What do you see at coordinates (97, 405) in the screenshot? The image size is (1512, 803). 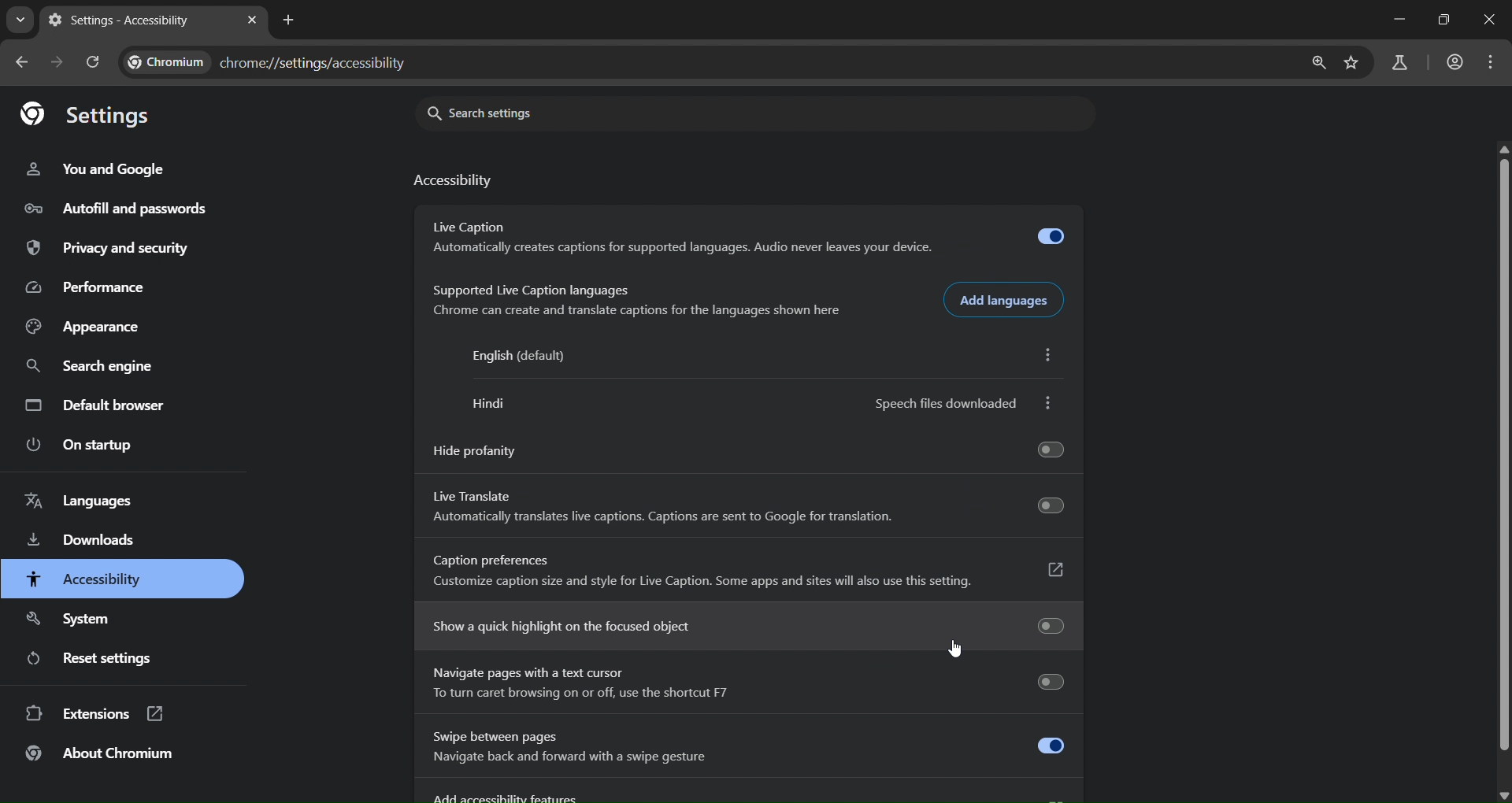 I see `default browser` at bounding box center [97, 405].